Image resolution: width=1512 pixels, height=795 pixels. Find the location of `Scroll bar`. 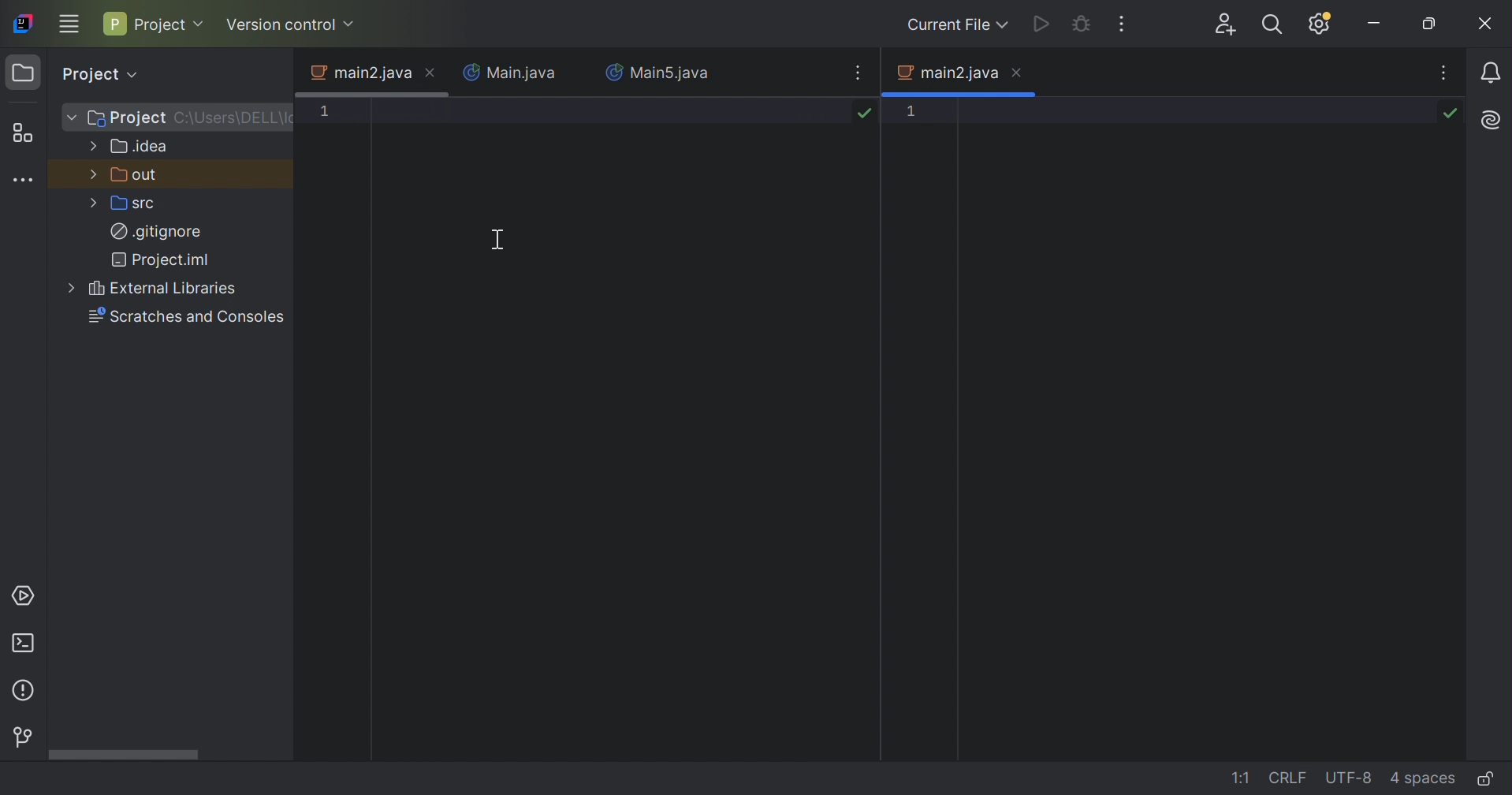

Scroll bar is located at coordinates (122, 754).